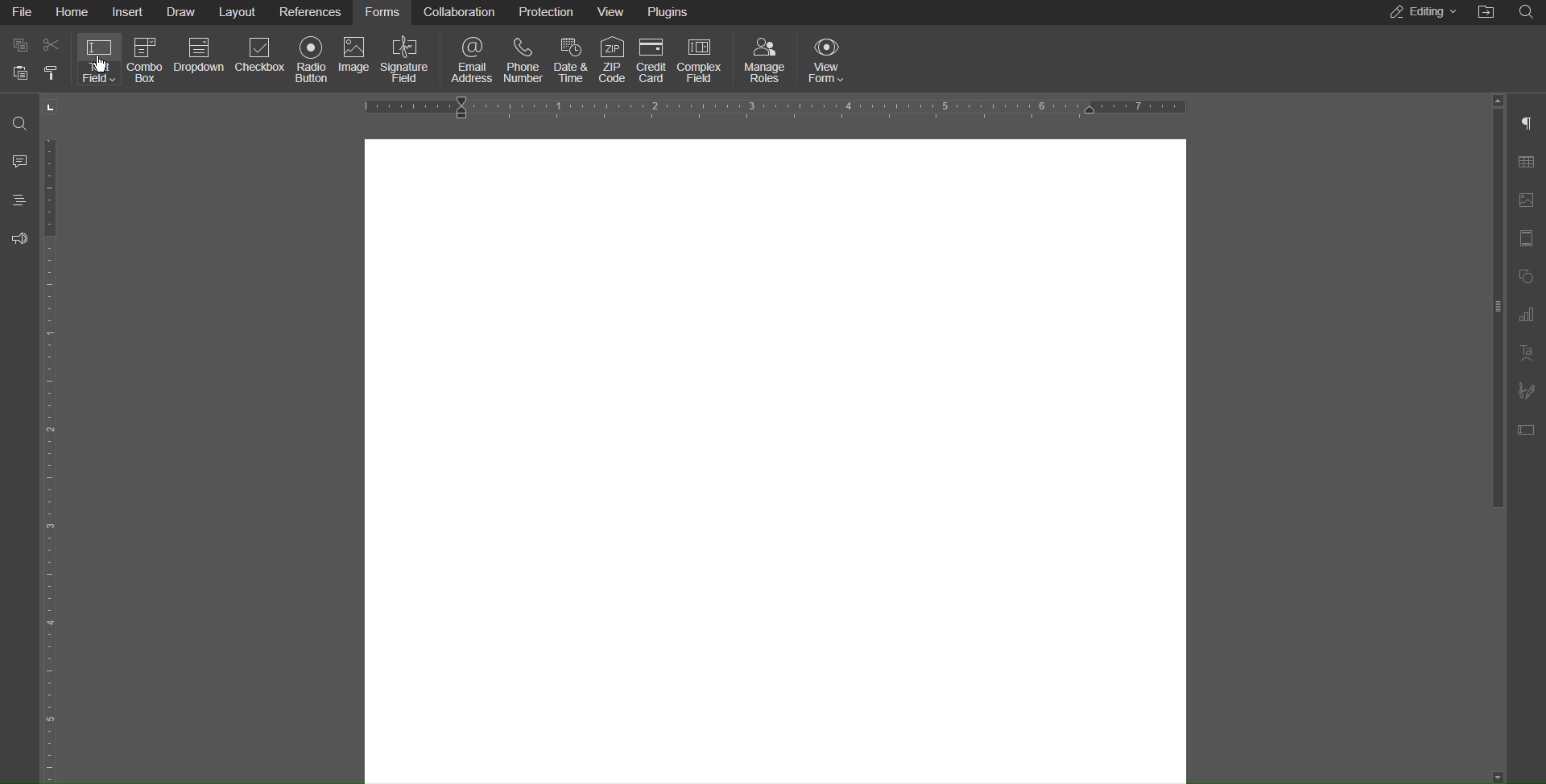 This screenshot has height=784, width=1546. I want to click on Search, so click(18, 118).